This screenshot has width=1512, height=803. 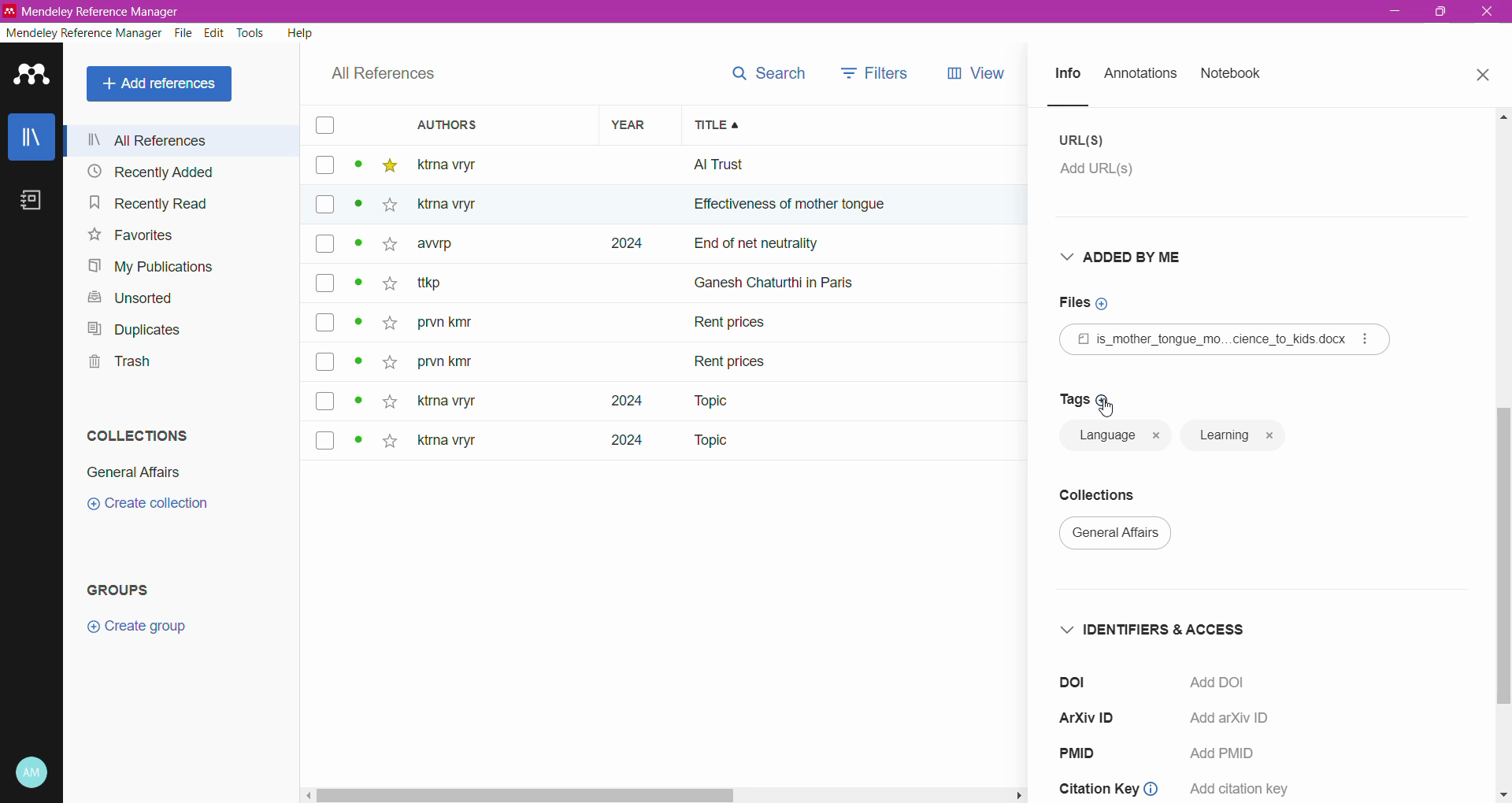 What do you see at coordinates (732, 359) in the screenshot?
I see `rent prices ` at bounding box center [732, 359].